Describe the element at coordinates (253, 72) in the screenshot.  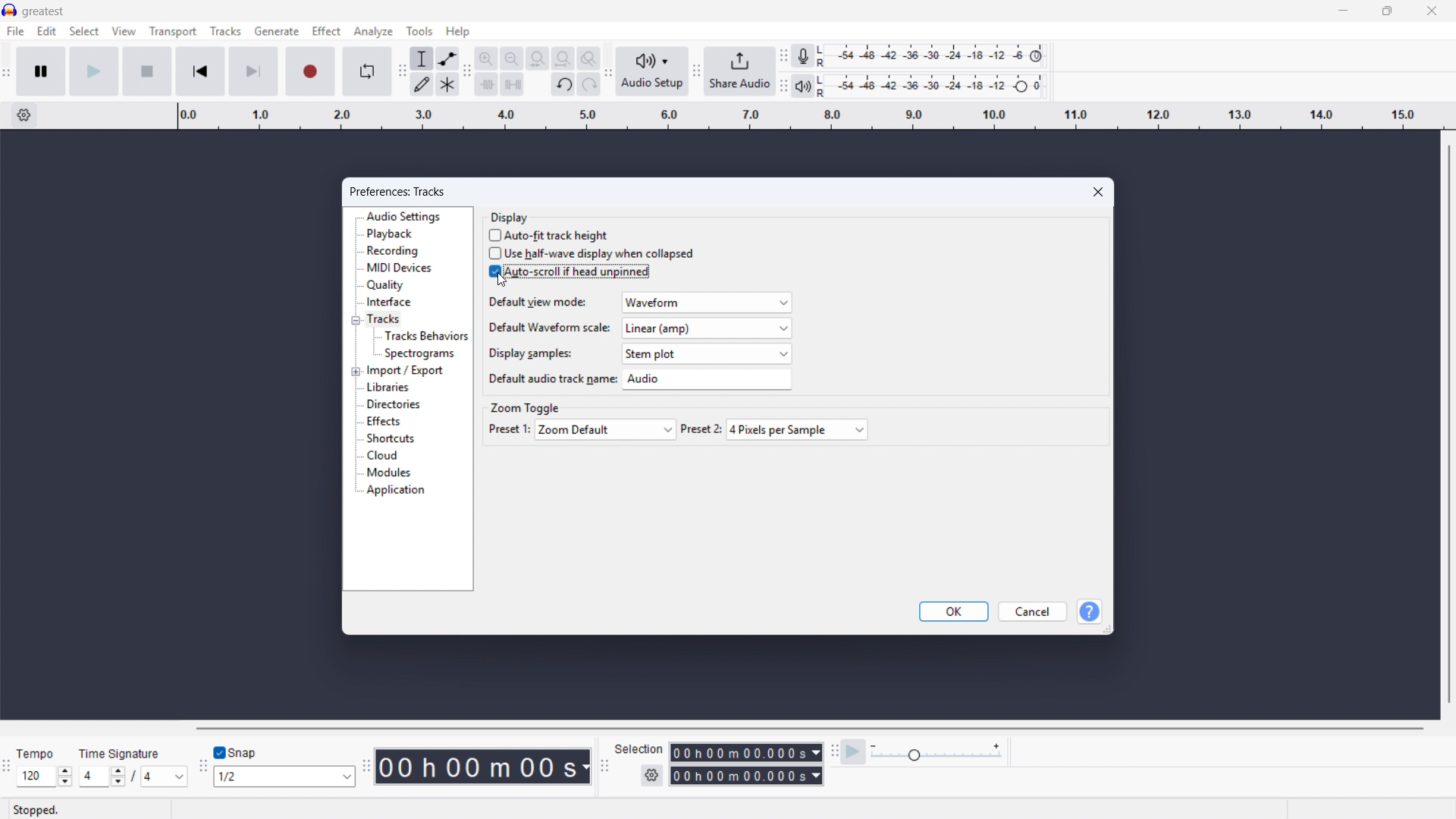
I see `Skip to end ` at that location.